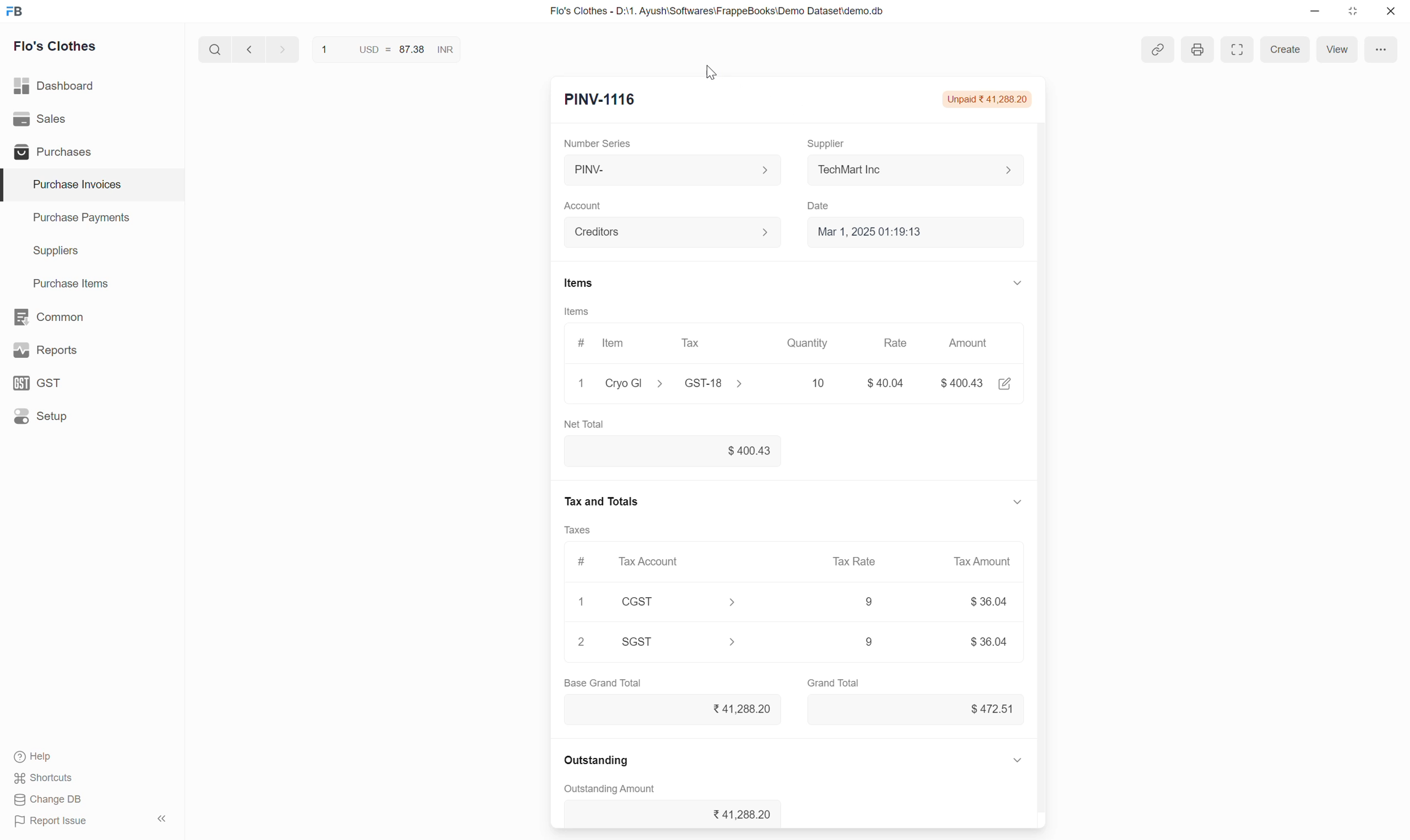 The height and width of the screenshot is (840, 1410). I want to click on minimize, so click(1315, 14).